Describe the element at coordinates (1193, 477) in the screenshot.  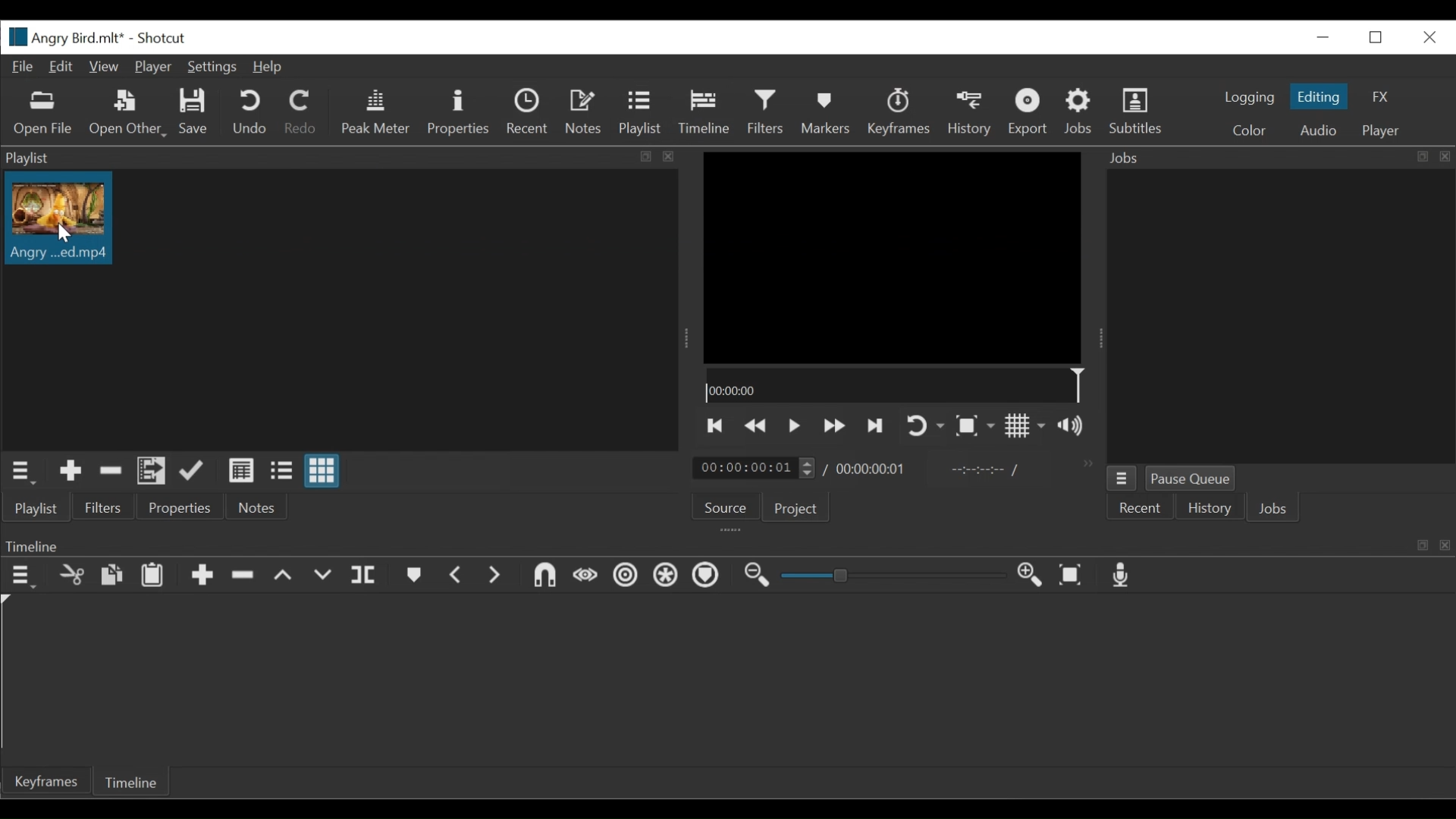
I see `Pause Queue` at that location.